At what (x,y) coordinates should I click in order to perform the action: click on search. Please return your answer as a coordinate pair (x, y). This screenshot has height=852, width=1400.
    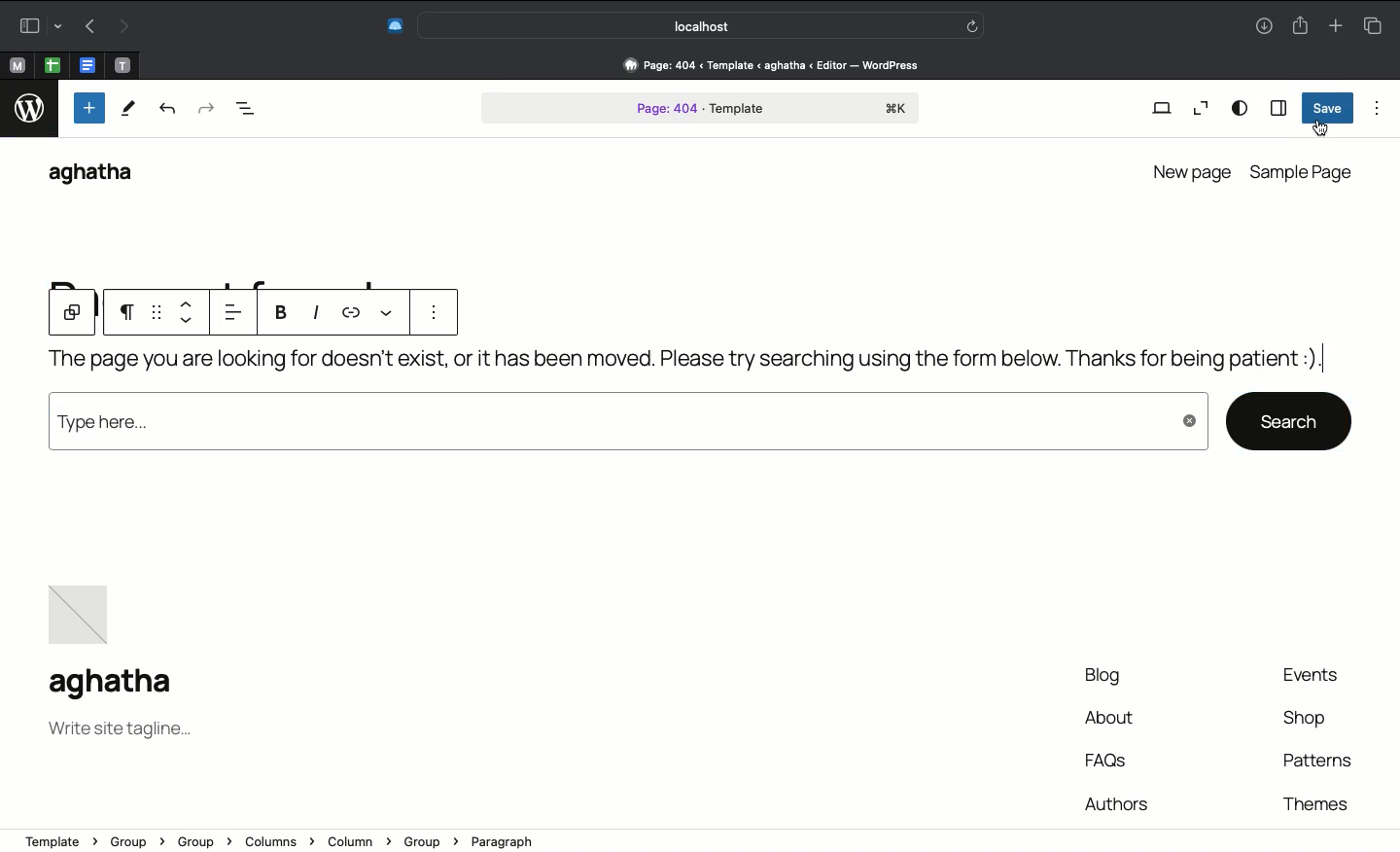
    Looking at the image, I should click on (1289, 419).